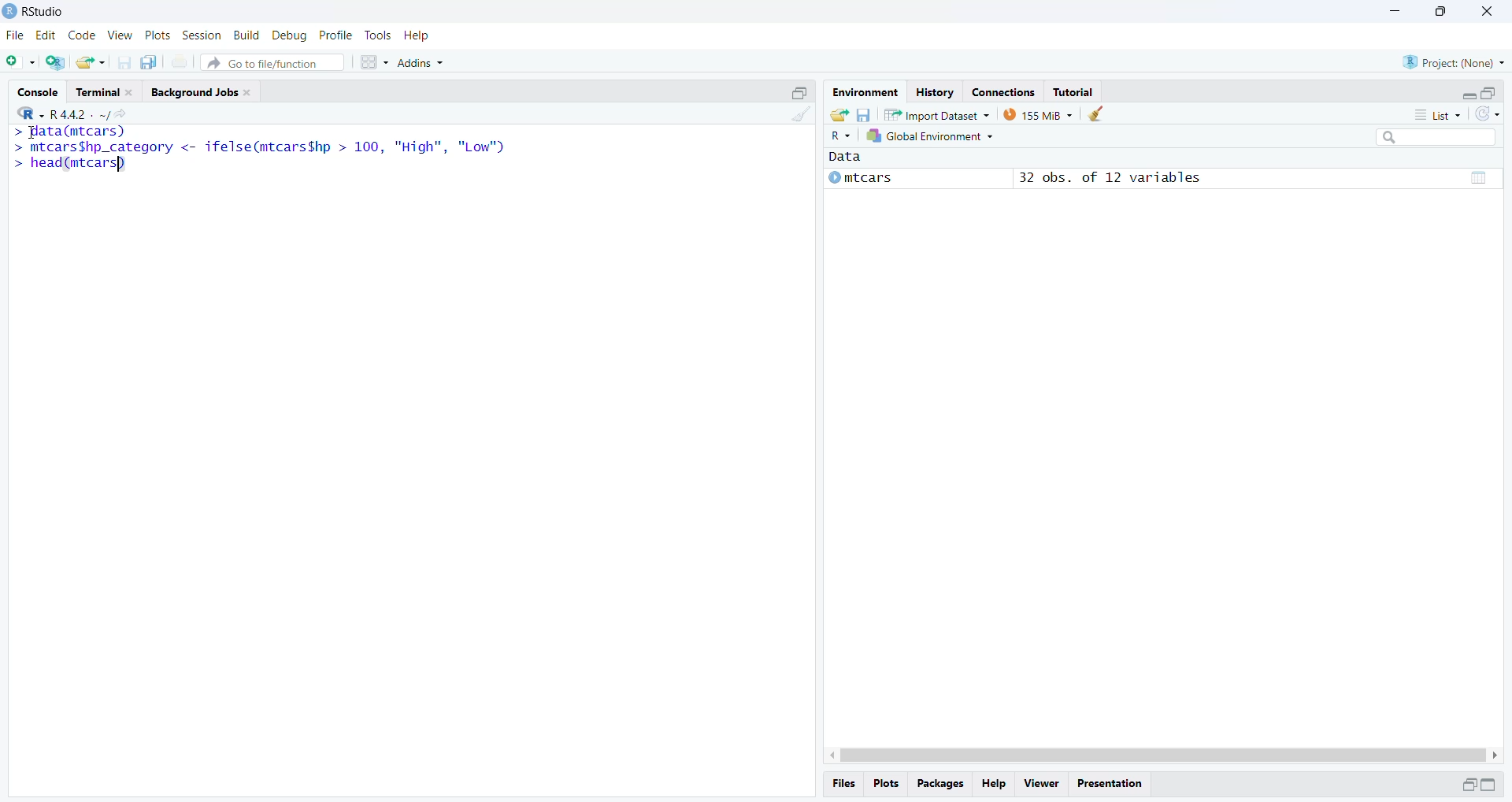 The image size is (1512, 802). Describe the element at coordinates (865, 92) in the screenshot. I see `Environment` at that location.